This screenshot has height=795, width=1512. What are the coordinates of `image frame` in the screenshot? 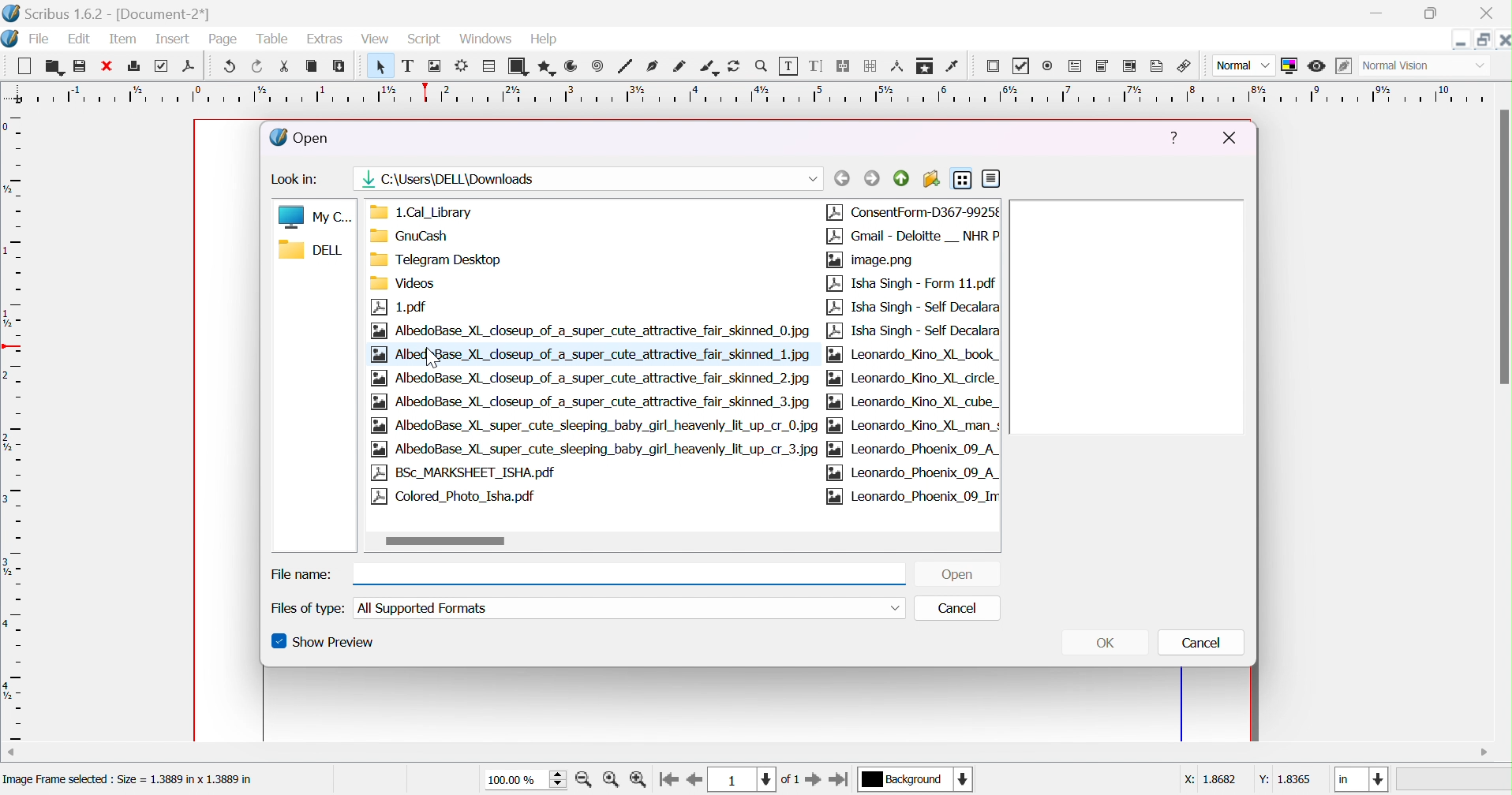 It's located at (436, 66).